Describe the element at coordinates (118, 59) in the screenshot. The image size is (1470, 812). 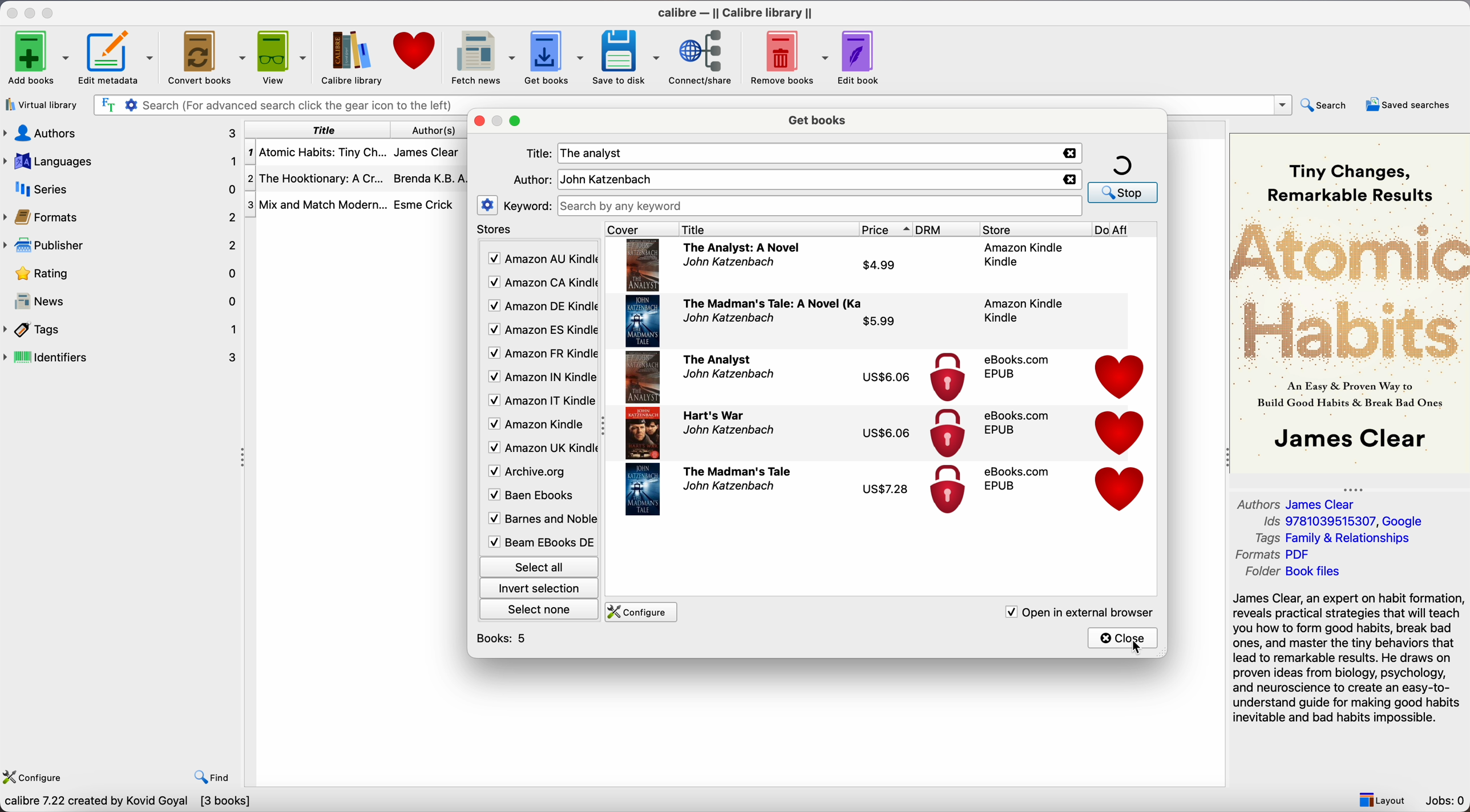
I see `edit metadata` at that location.